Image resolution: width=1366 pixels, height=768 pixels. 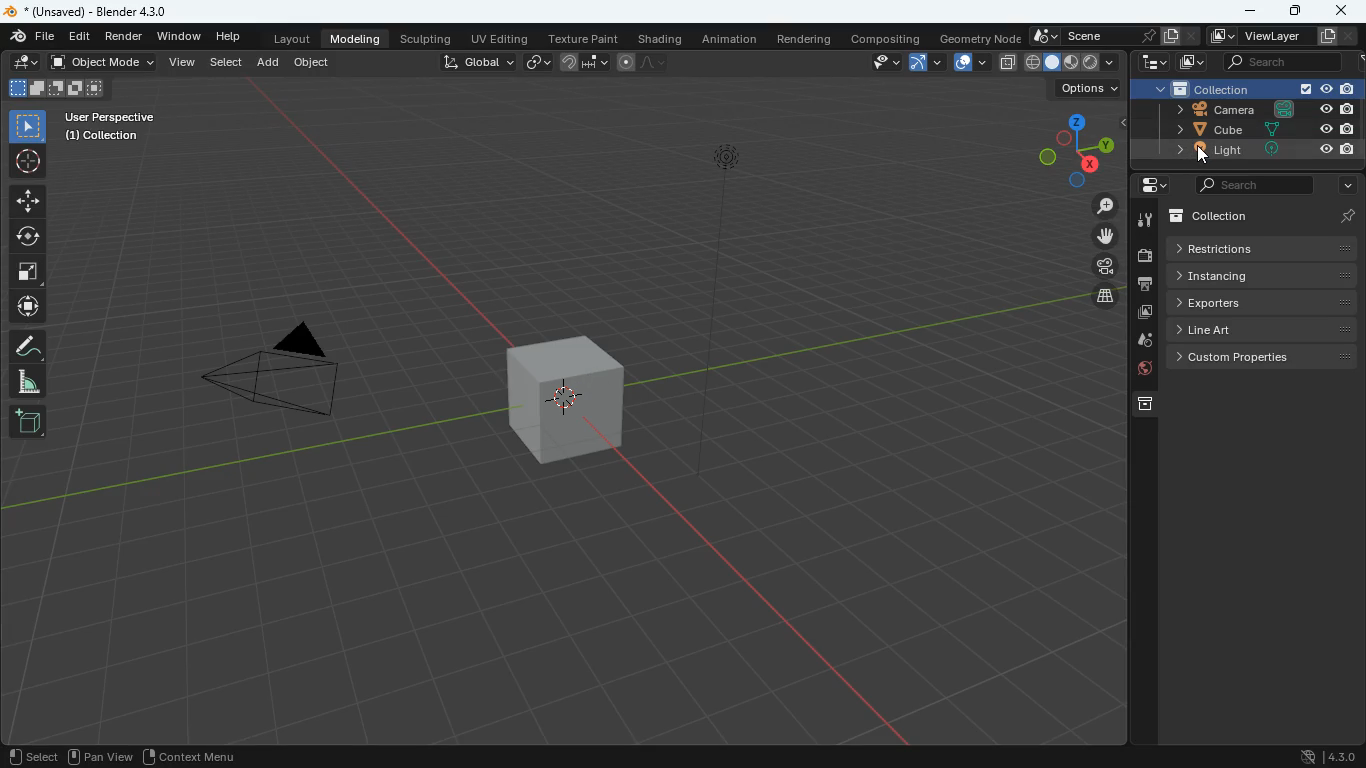 I want to click on add cube, so click(x=27, y=422).